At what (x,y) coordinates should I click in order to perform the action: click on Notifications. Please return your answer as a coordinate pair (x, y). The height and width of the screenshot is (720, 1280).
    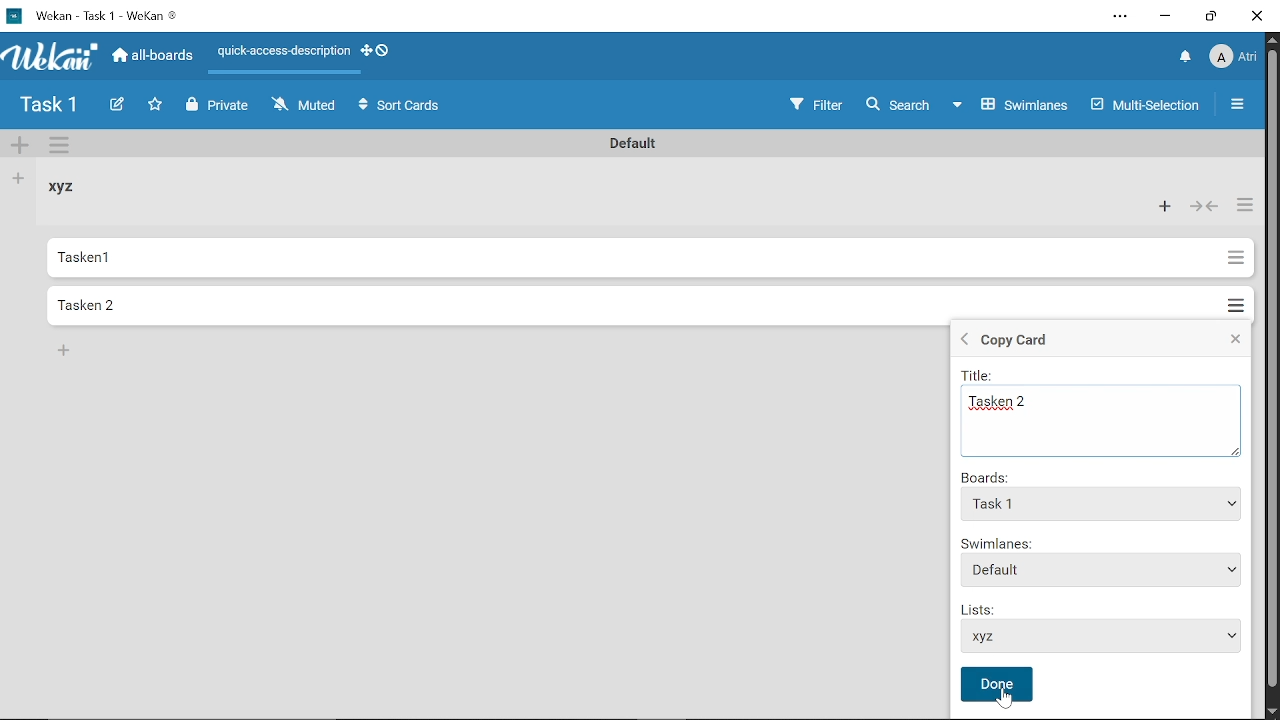
    Looking at the image, I should click on (1187, 57).